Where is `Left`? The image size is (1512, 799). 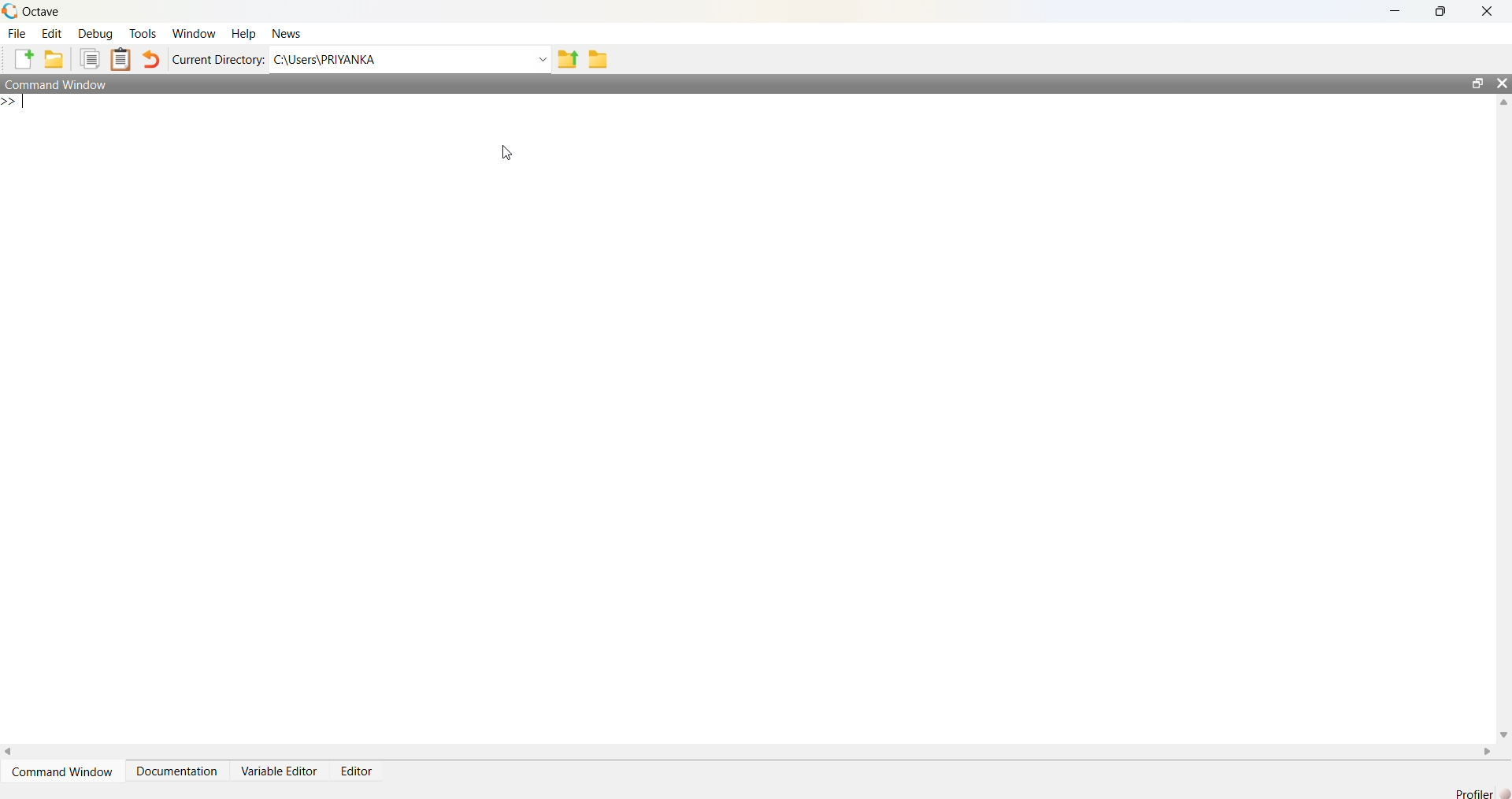 Left is located at coordinates (14, 750).